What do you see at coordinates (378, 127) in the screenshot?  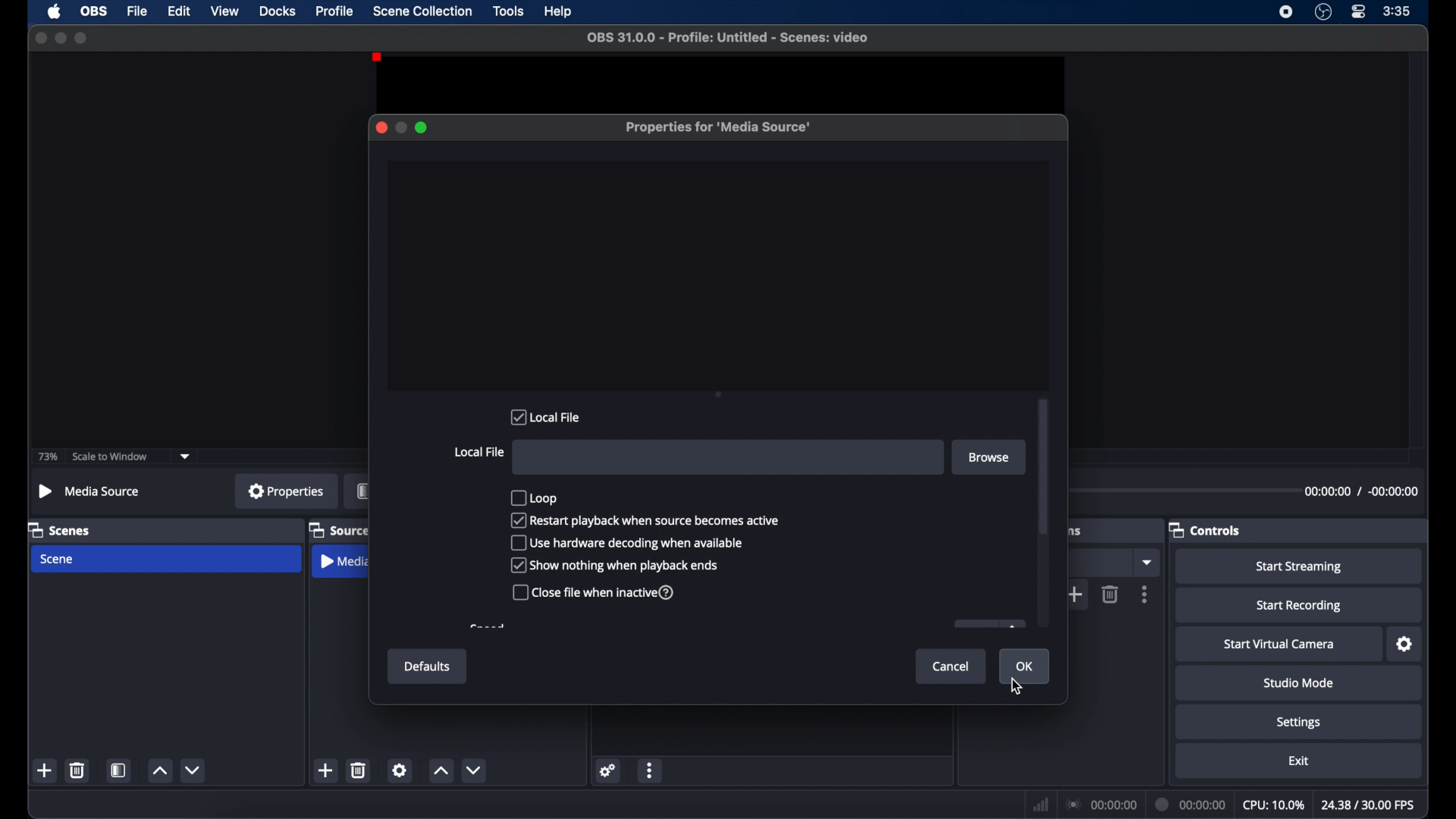 I see `close` at bounding box center [378, 127].